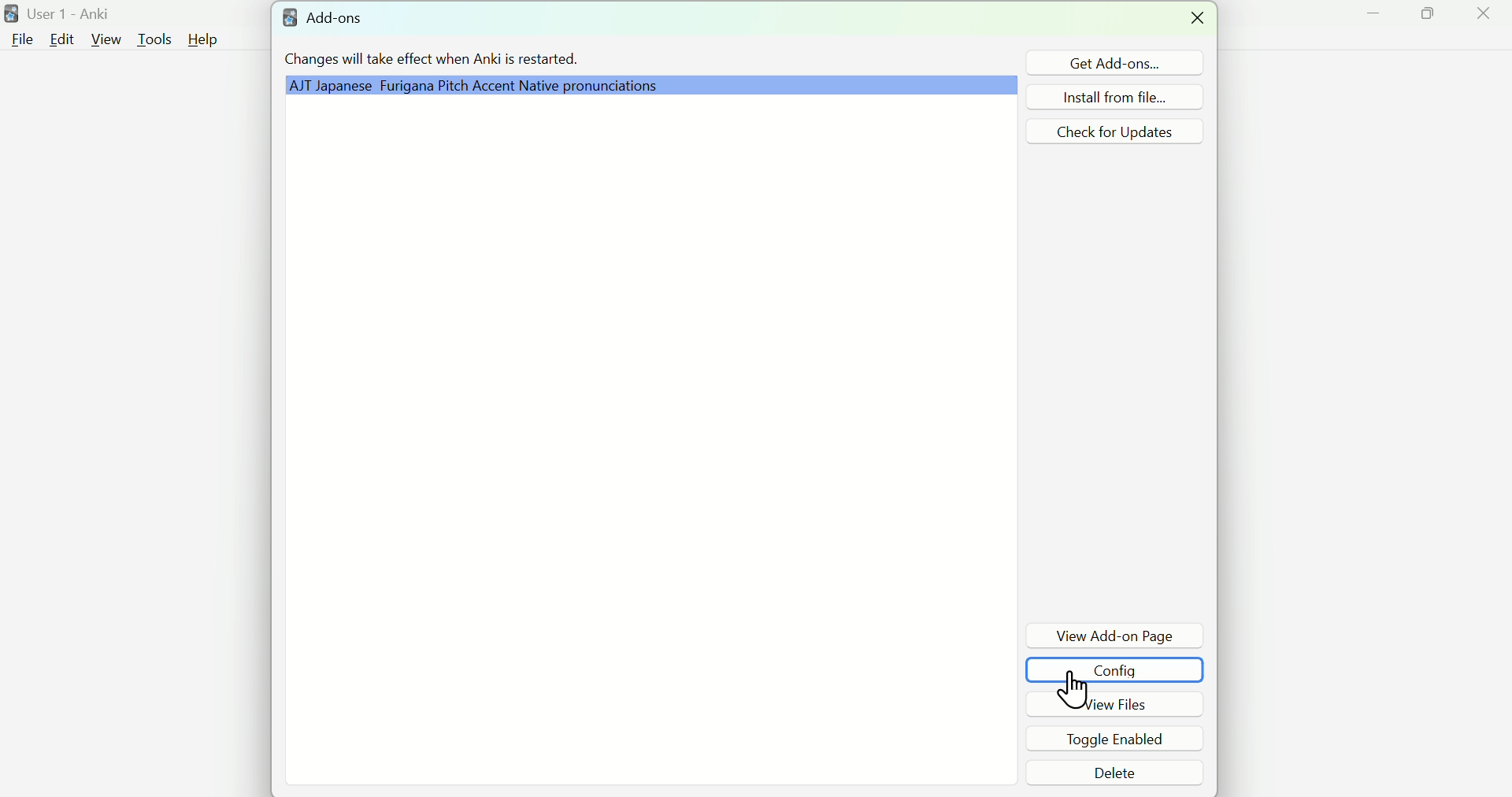  Describe the element at coordinates (1114, 673) in the screenshot. I see `Config` at that location.